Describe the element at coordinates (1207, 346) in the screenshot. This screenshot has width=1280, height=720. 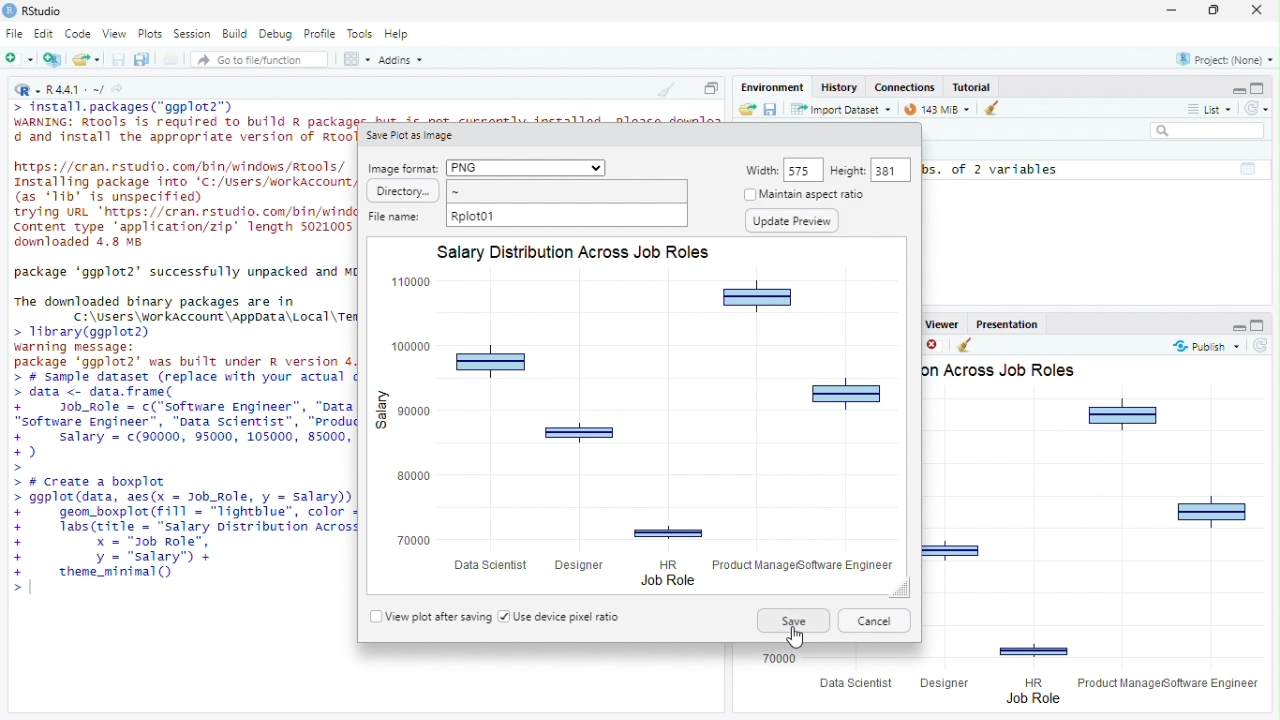
I see `publish` at that location.